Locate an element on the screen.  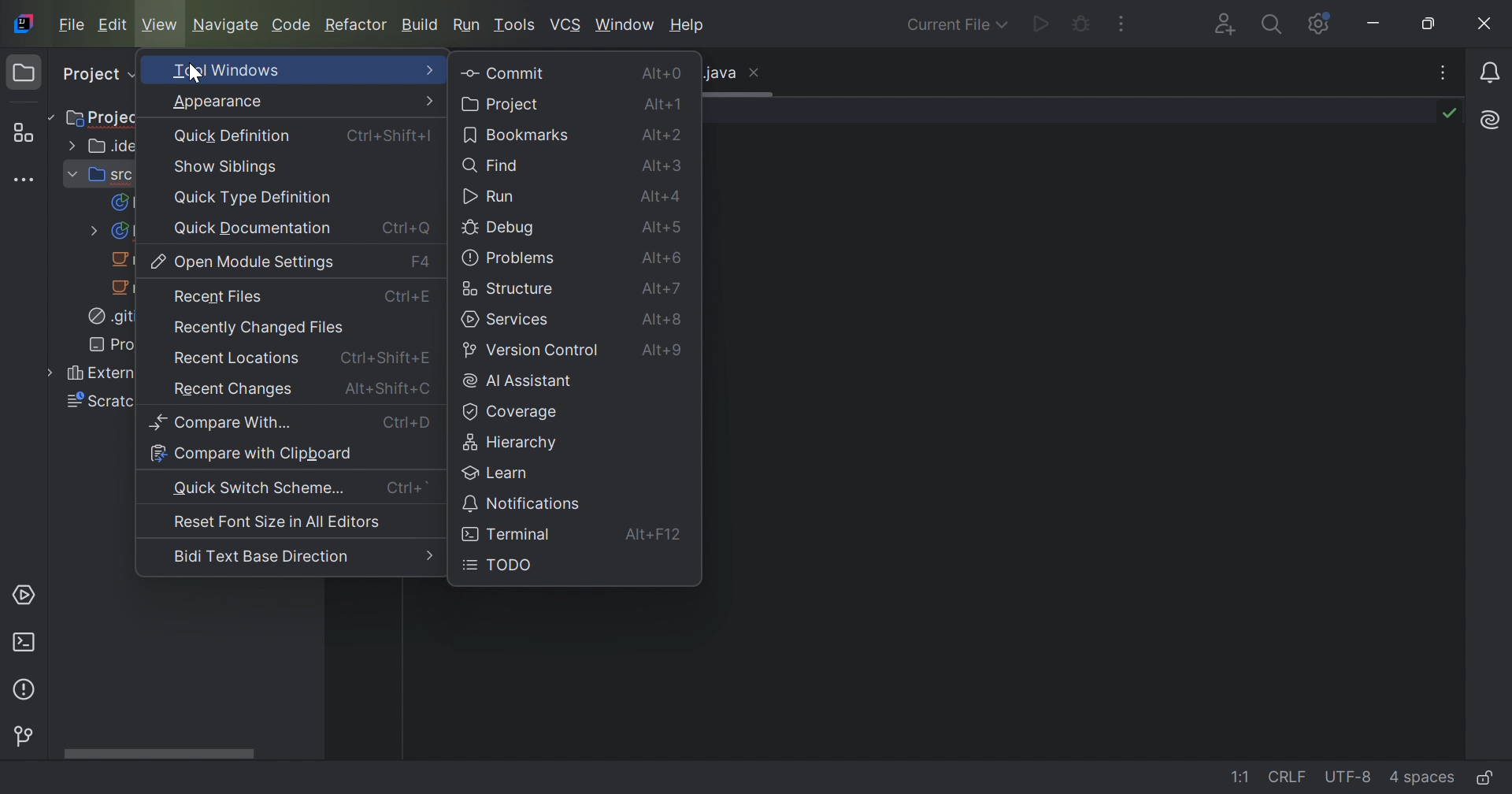
Find is located at coordinates (495, 169).